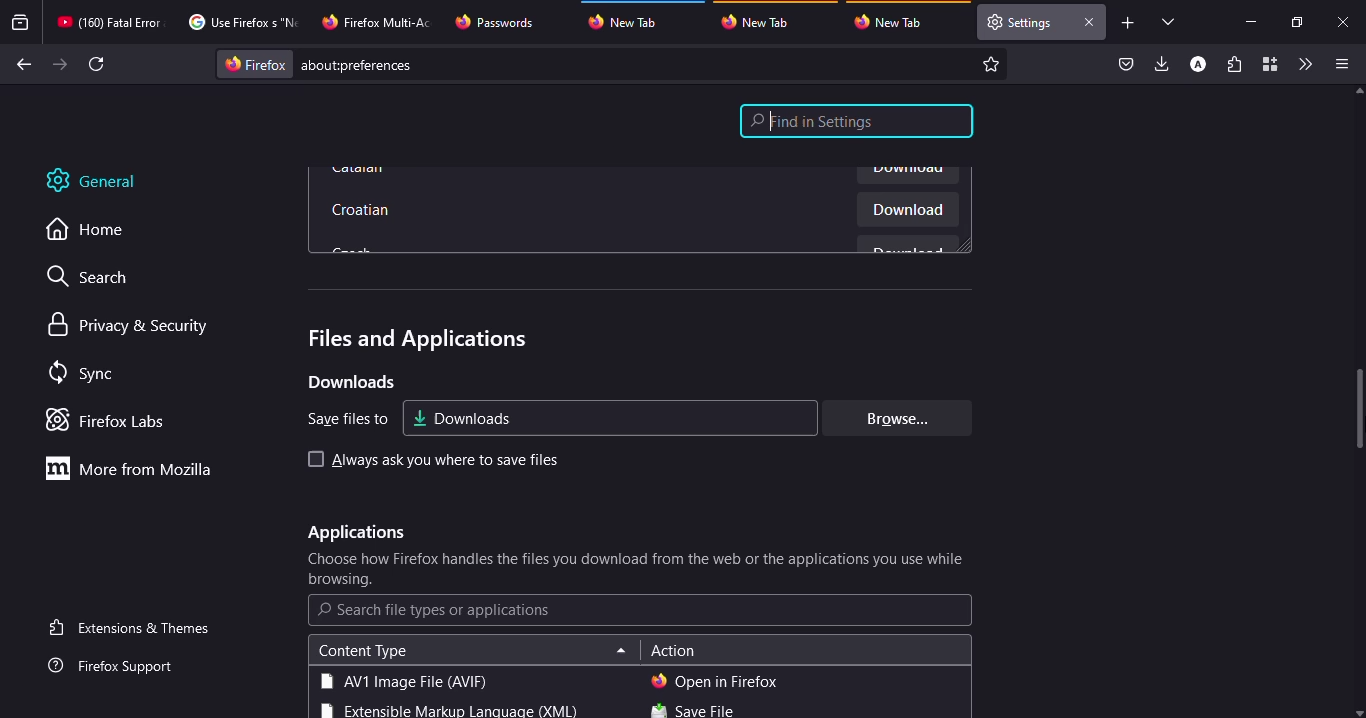 Image resolution: width=1366 pixels, height=718 pixels. What do you see at coordinates (240, 22) in the screenshot?
I see `tab` at bounding box center [240, 22].